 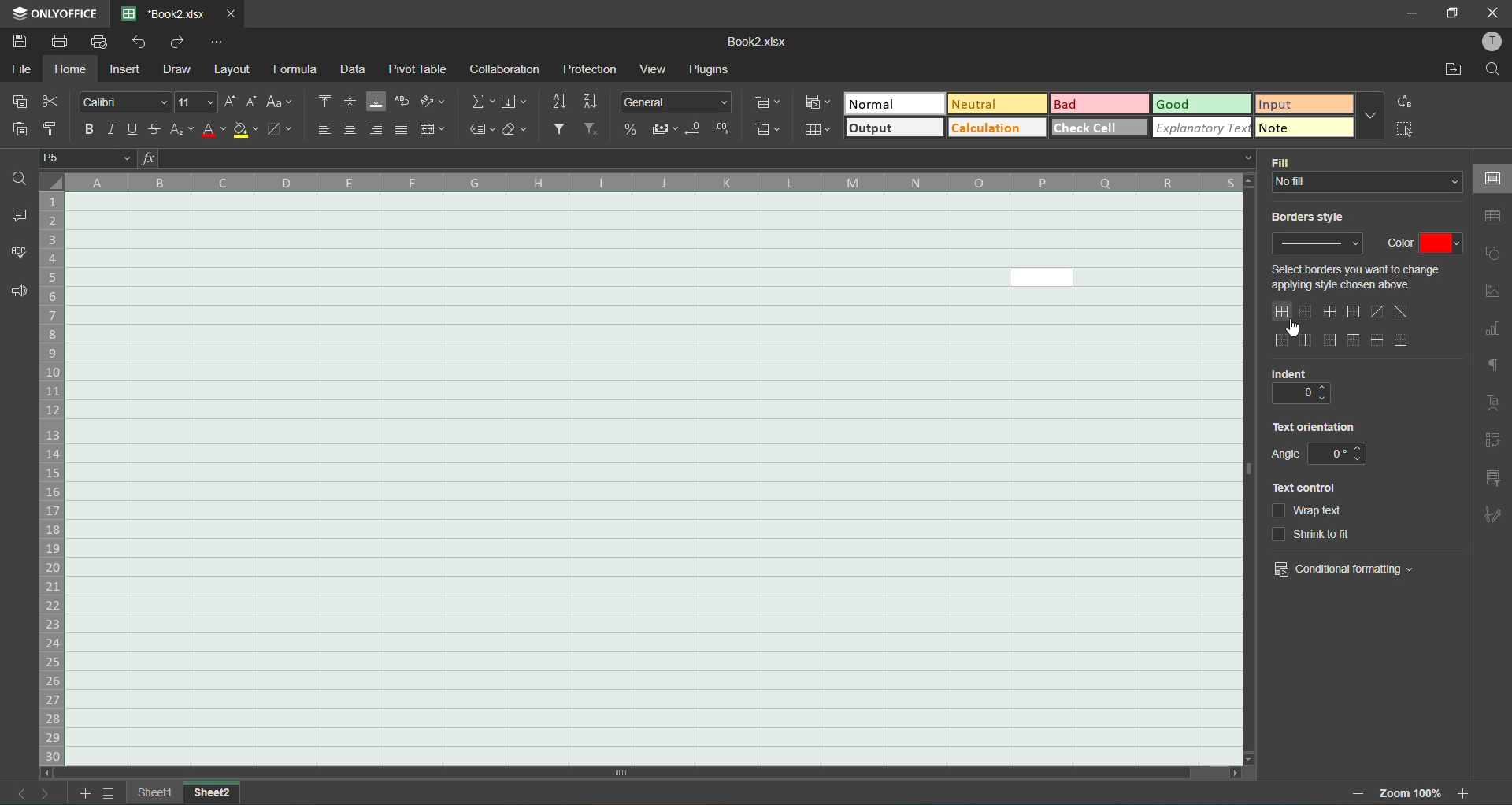 I want to click on sub/superscript, so click(x=183, y=132).